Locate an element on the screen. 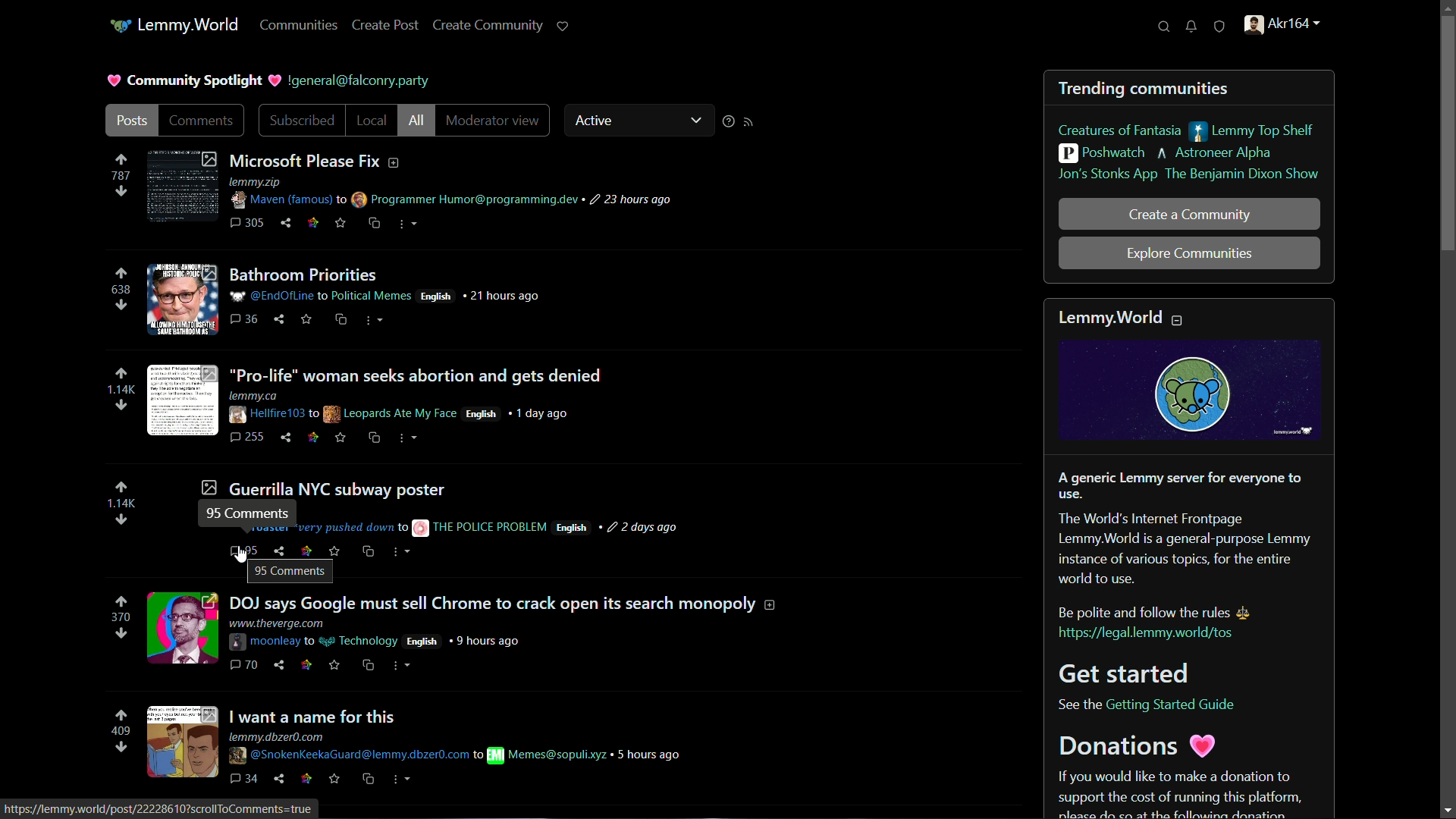  unread notifications is located at coordinates (1193, 27).